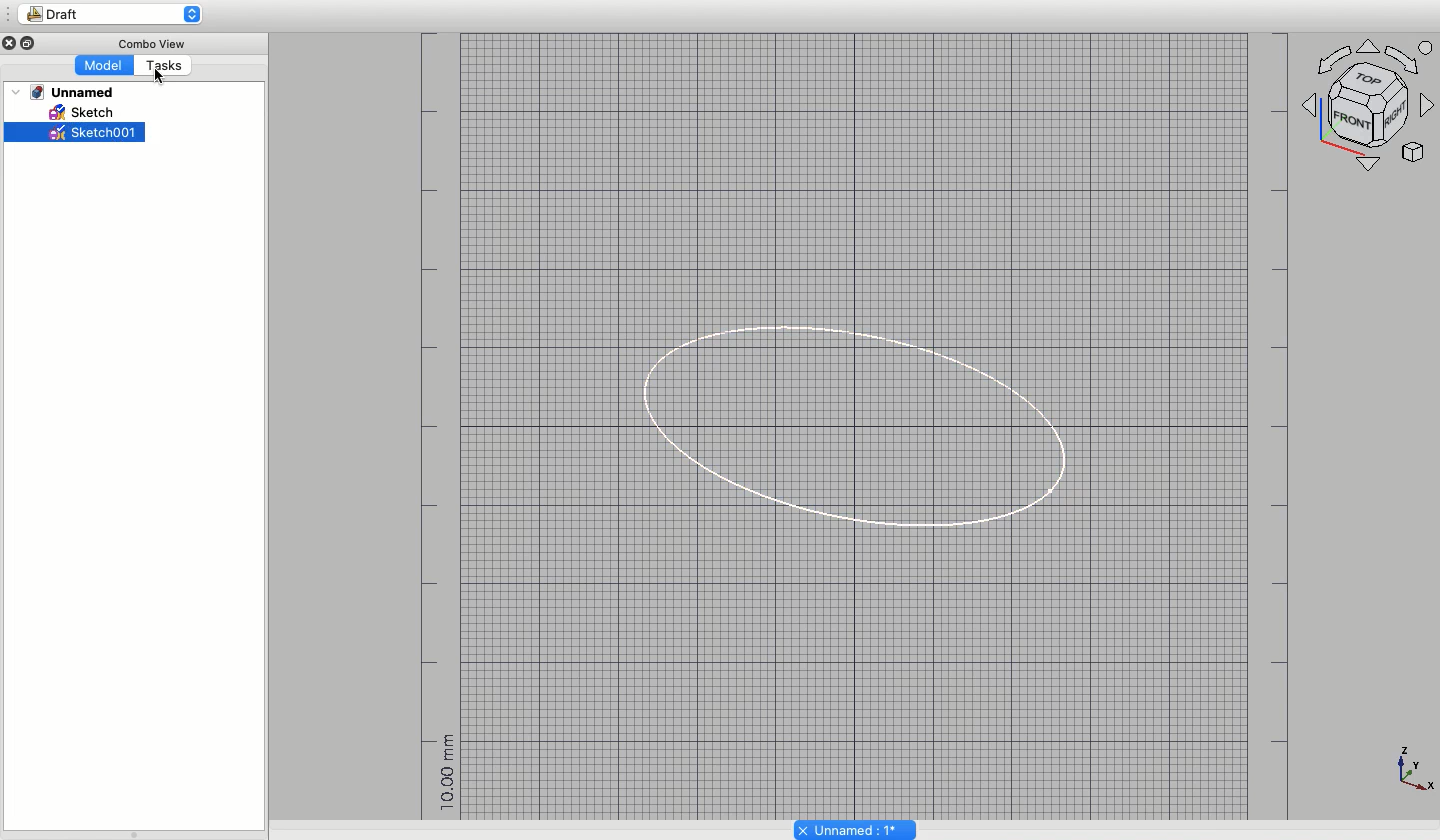 This screenshot has width=1440, height=840. I want to click on Sidebar, so click(9, 14).